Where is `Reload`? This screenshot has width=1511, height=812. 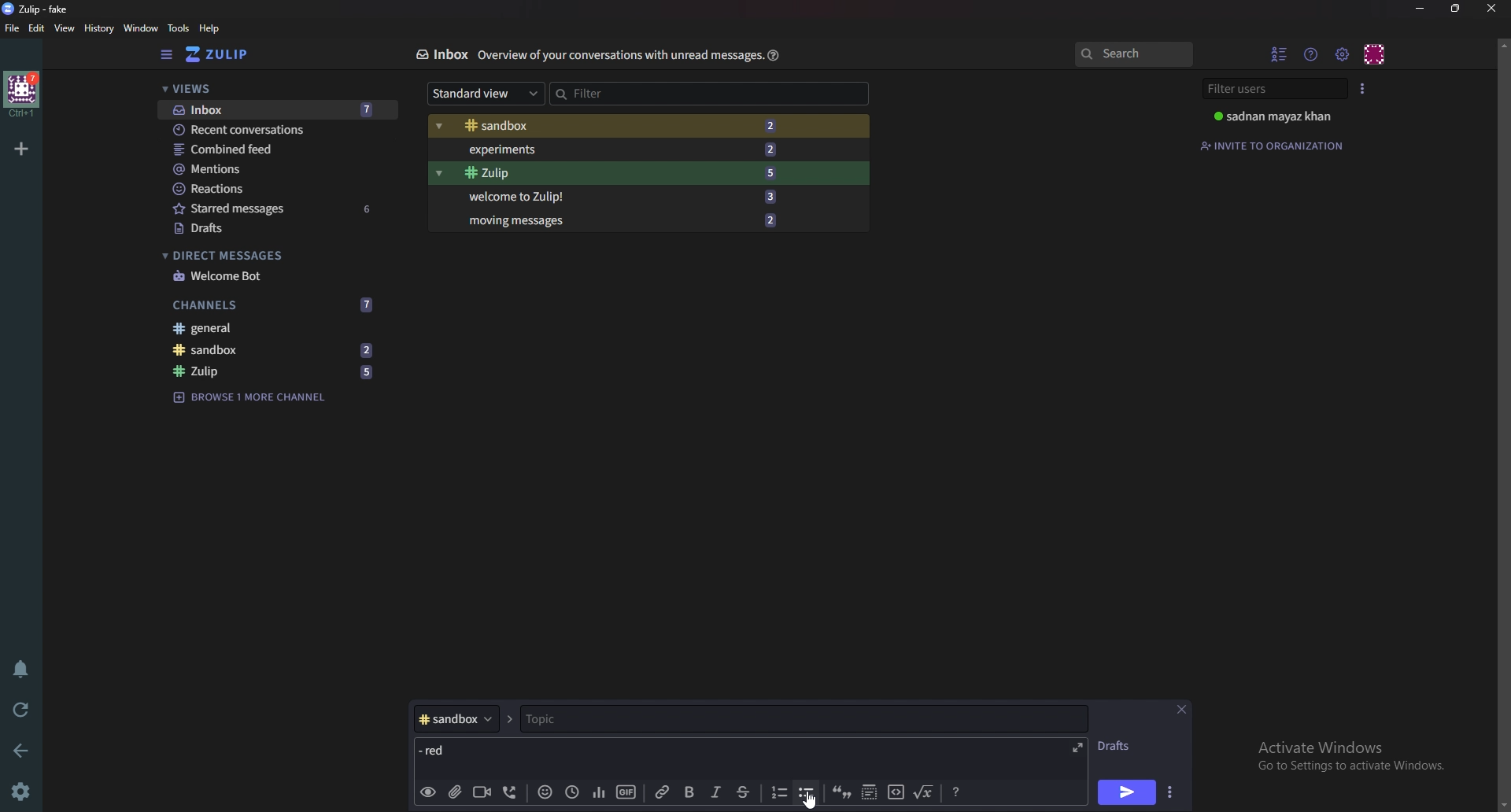
Reload is located at coordinates (21, 710).